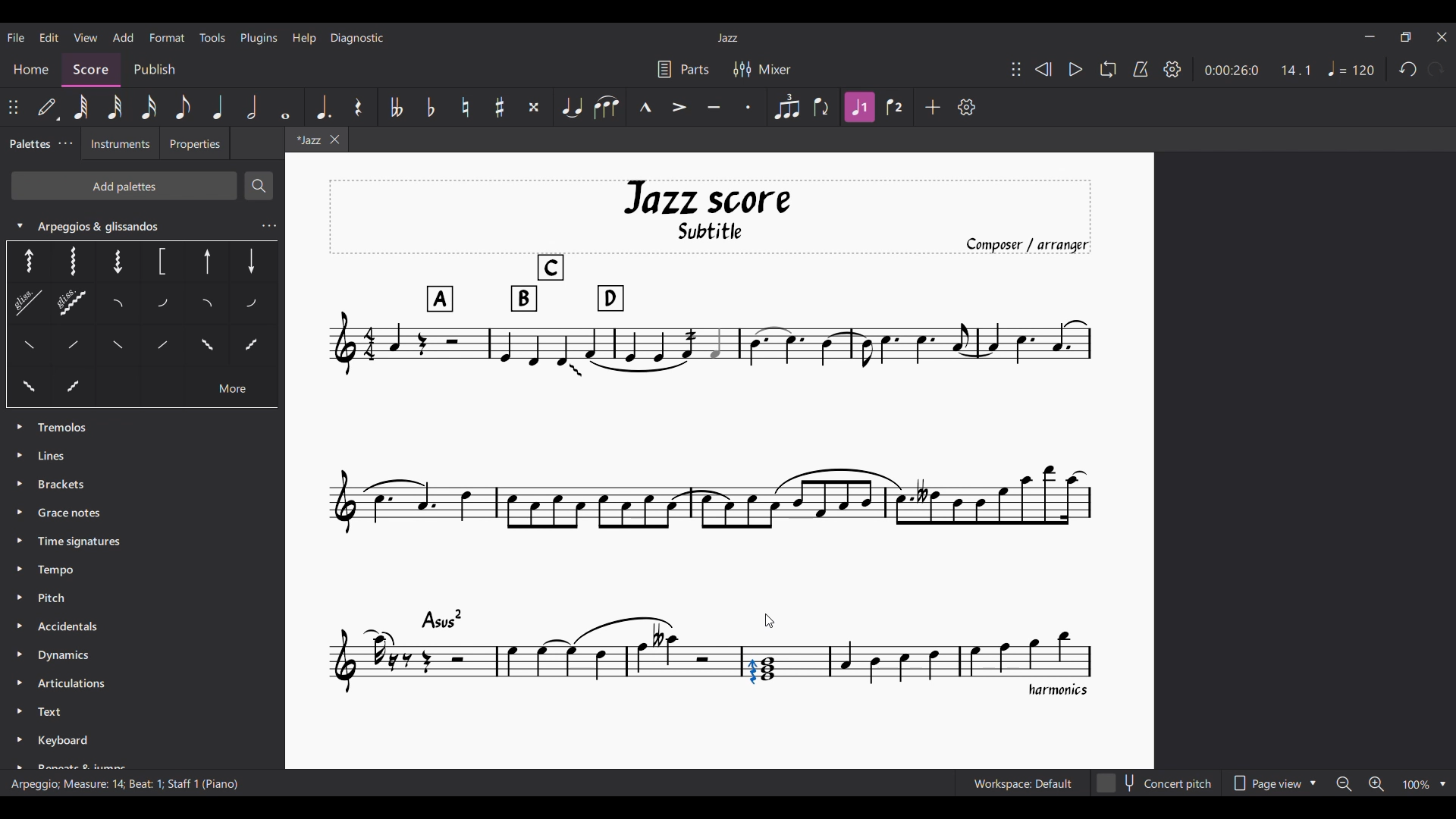 This screenshot has height=819, width=1456. Describe the element at coordinates (534, 108) in the screenshot. I see `Toggle double sharp` at that location.